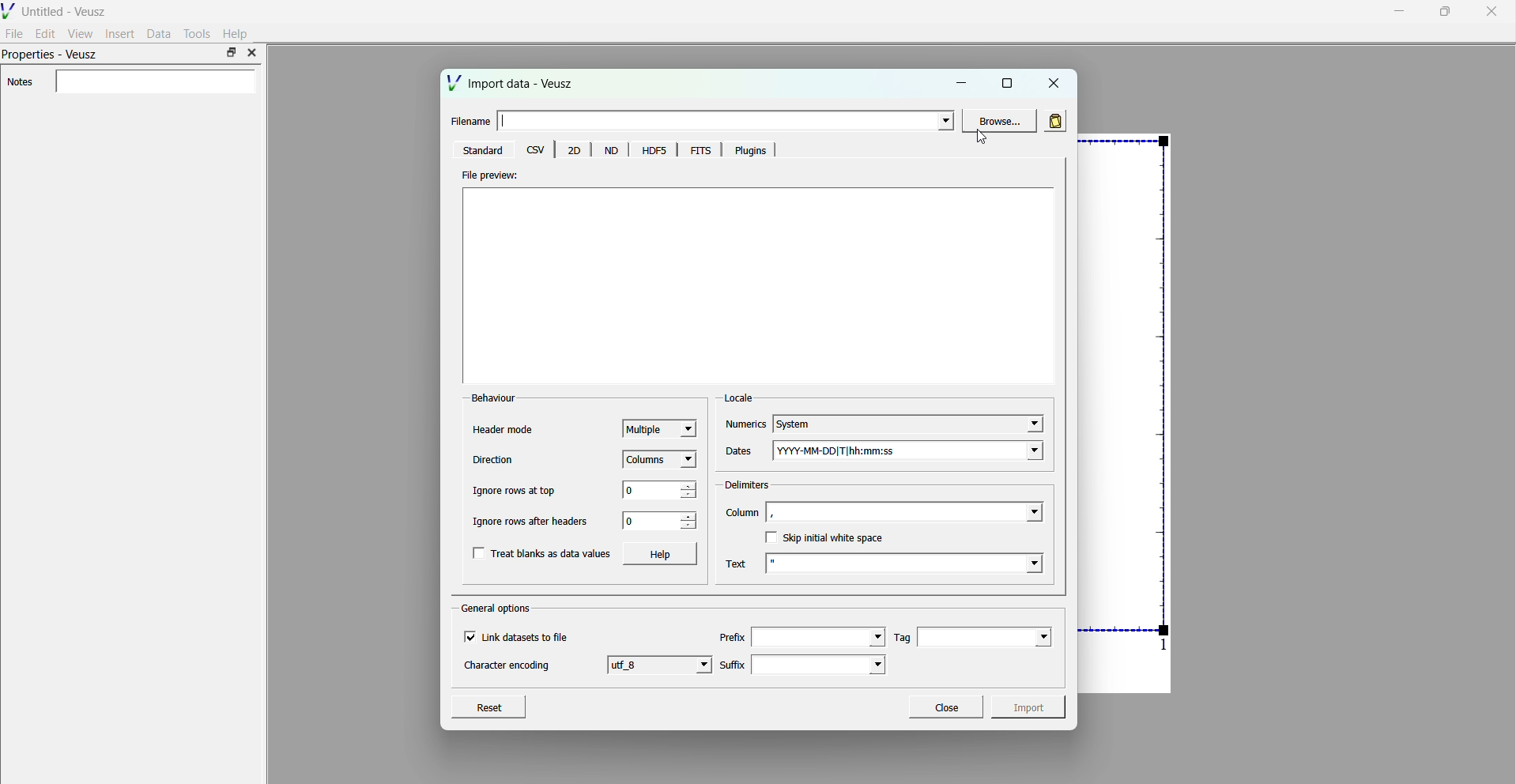 The image size is (1516, 784). Describe the element at coordinates (517, 492) in the screenshot. I see `Ignore rows at top.` at that location.